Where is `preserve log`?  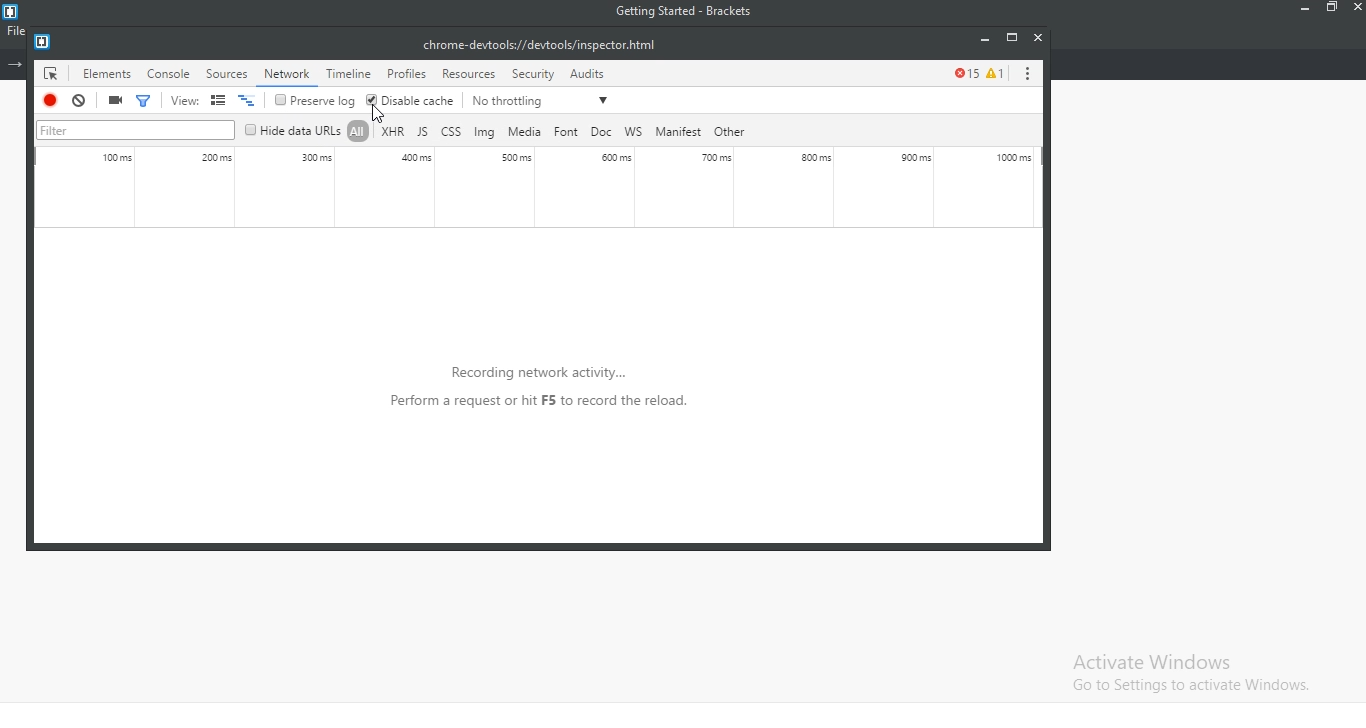 preserve log is located at coordinates (316, 101).